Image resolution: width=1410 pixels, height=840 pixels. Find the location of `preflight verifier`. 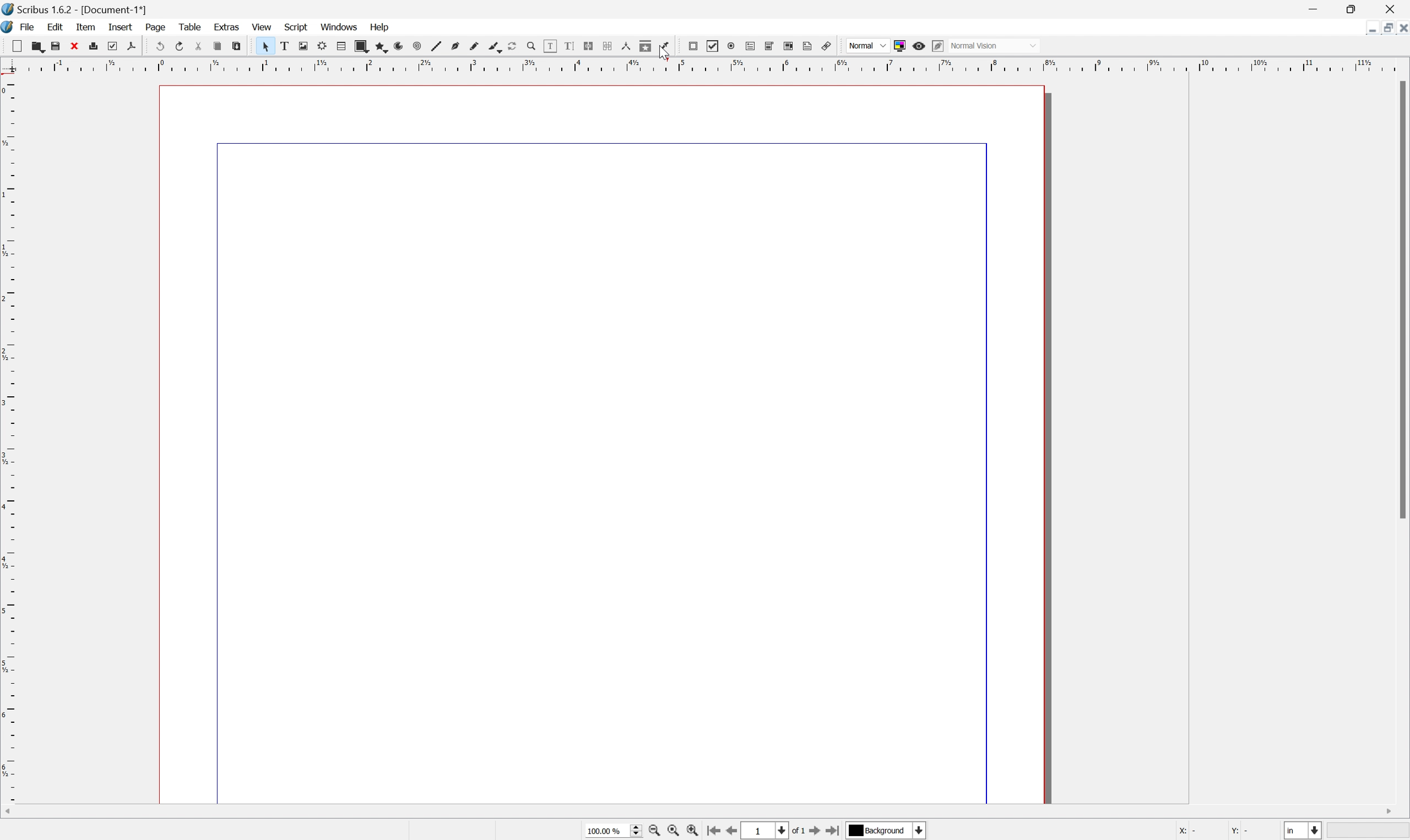

preflight verifier is located at coordinates (110, 46).